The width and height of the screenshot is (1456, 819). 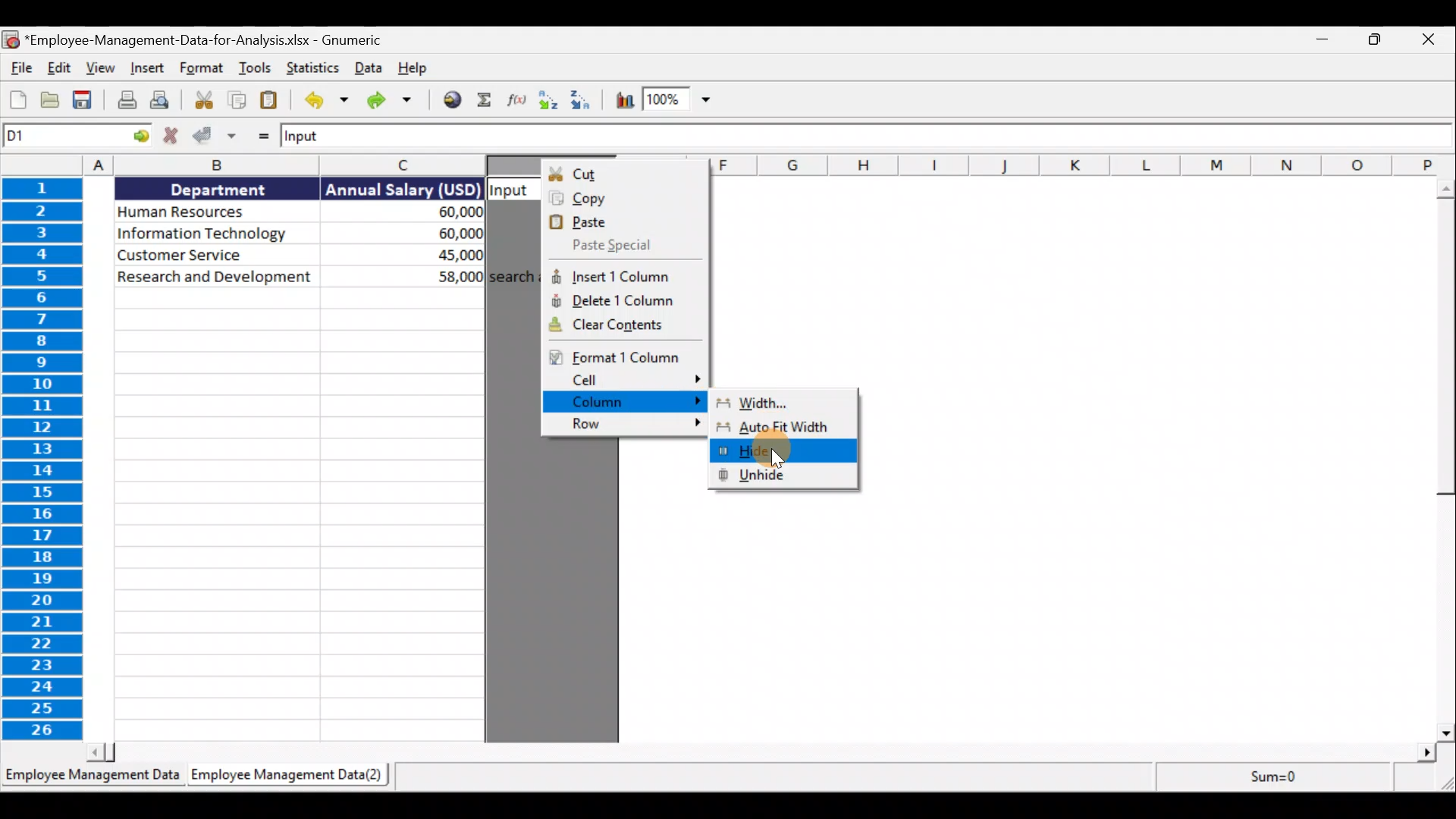 What do you see at coordinates (197, 37) in the screenshot?
I see `Document name` at bounding box center [197, 37].